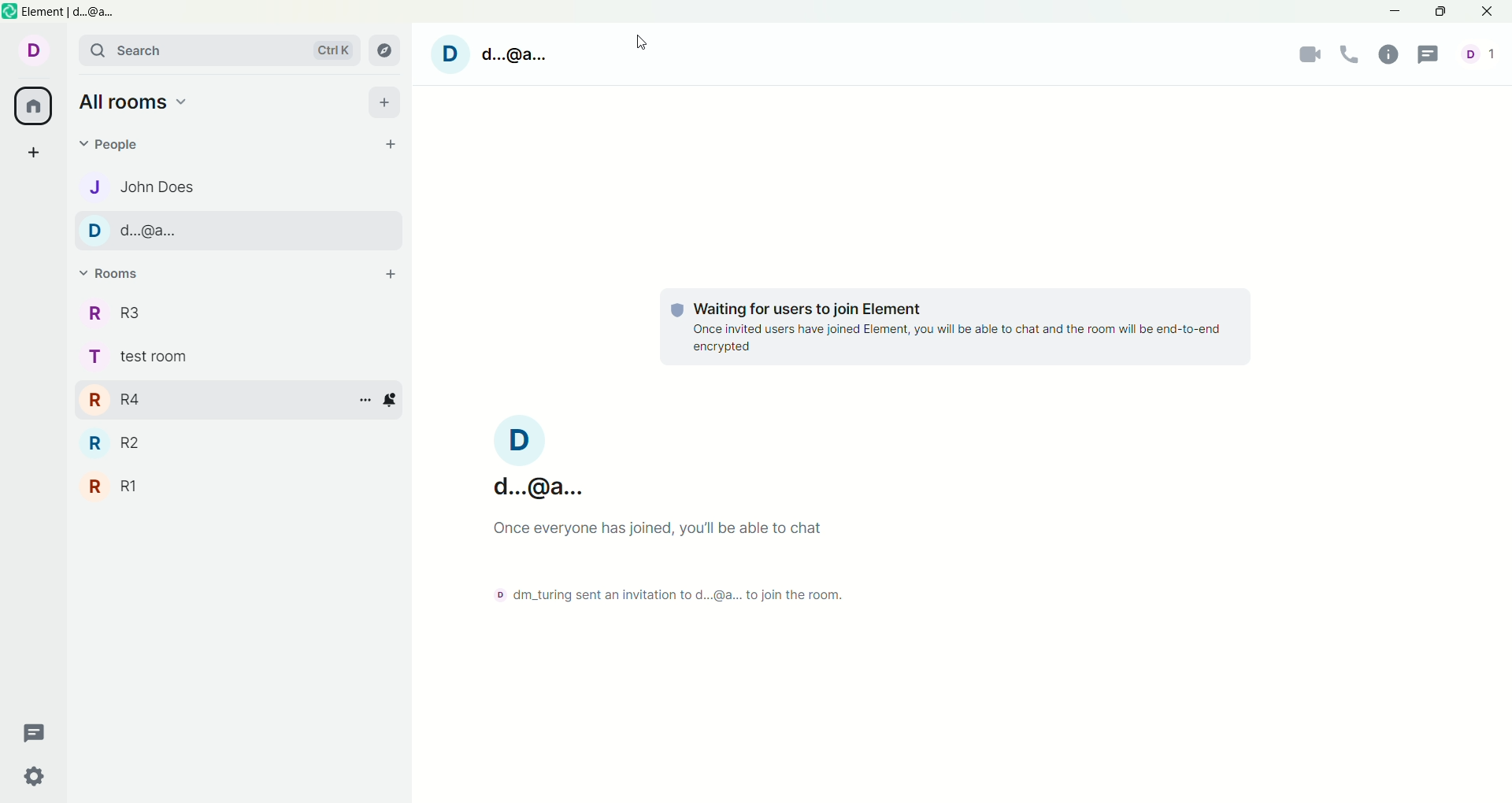  Describe the element at coordinates (214, 400) in the screenshot. I see `R4 room` at that location.